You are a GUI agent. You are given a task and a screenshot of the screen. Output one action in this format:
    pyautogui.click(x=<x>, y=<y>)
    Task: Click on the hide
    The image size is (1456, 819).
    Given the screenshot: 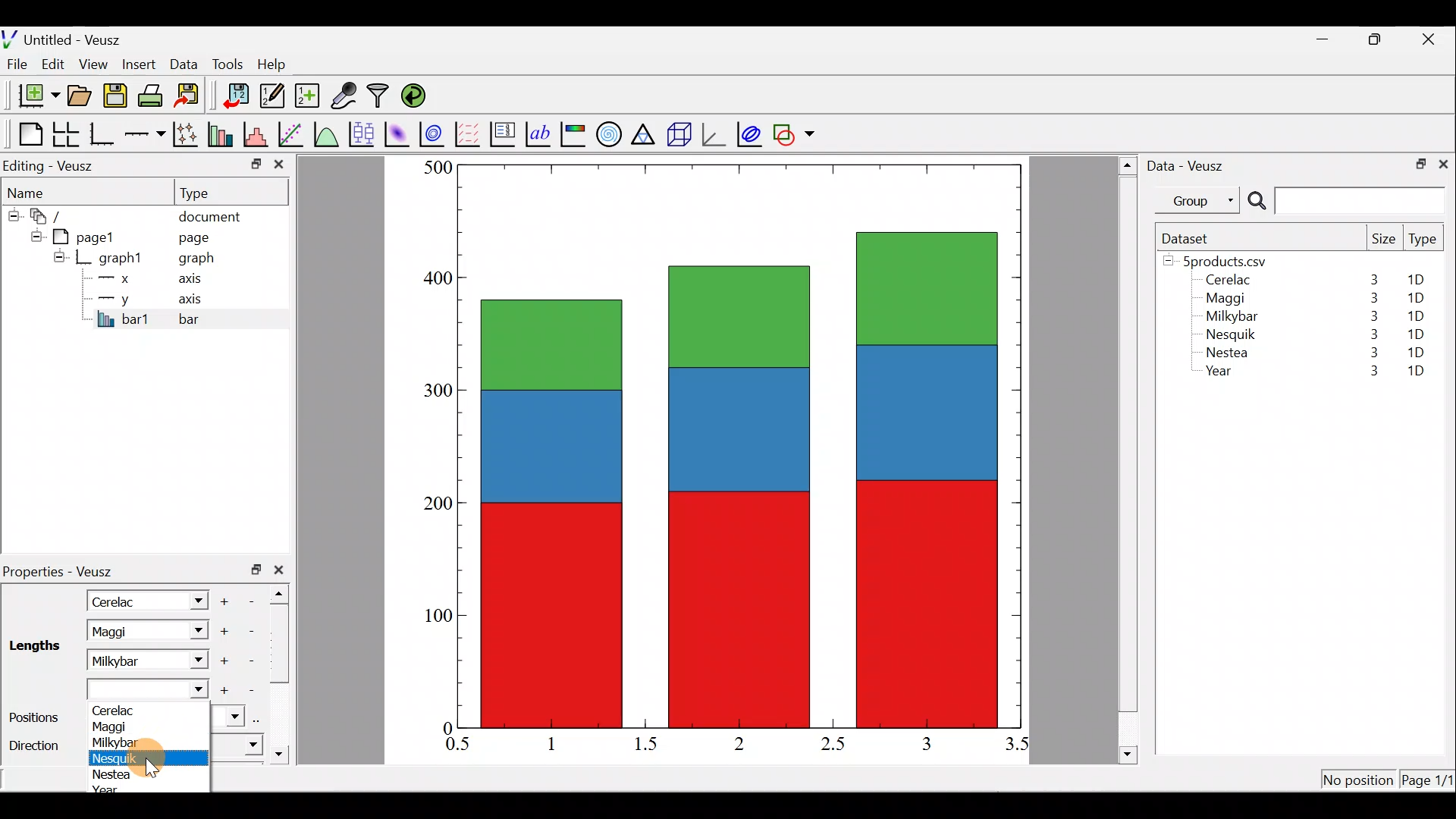 What is the action you would take?
    pyautogui.click(x=12, y=213)
    